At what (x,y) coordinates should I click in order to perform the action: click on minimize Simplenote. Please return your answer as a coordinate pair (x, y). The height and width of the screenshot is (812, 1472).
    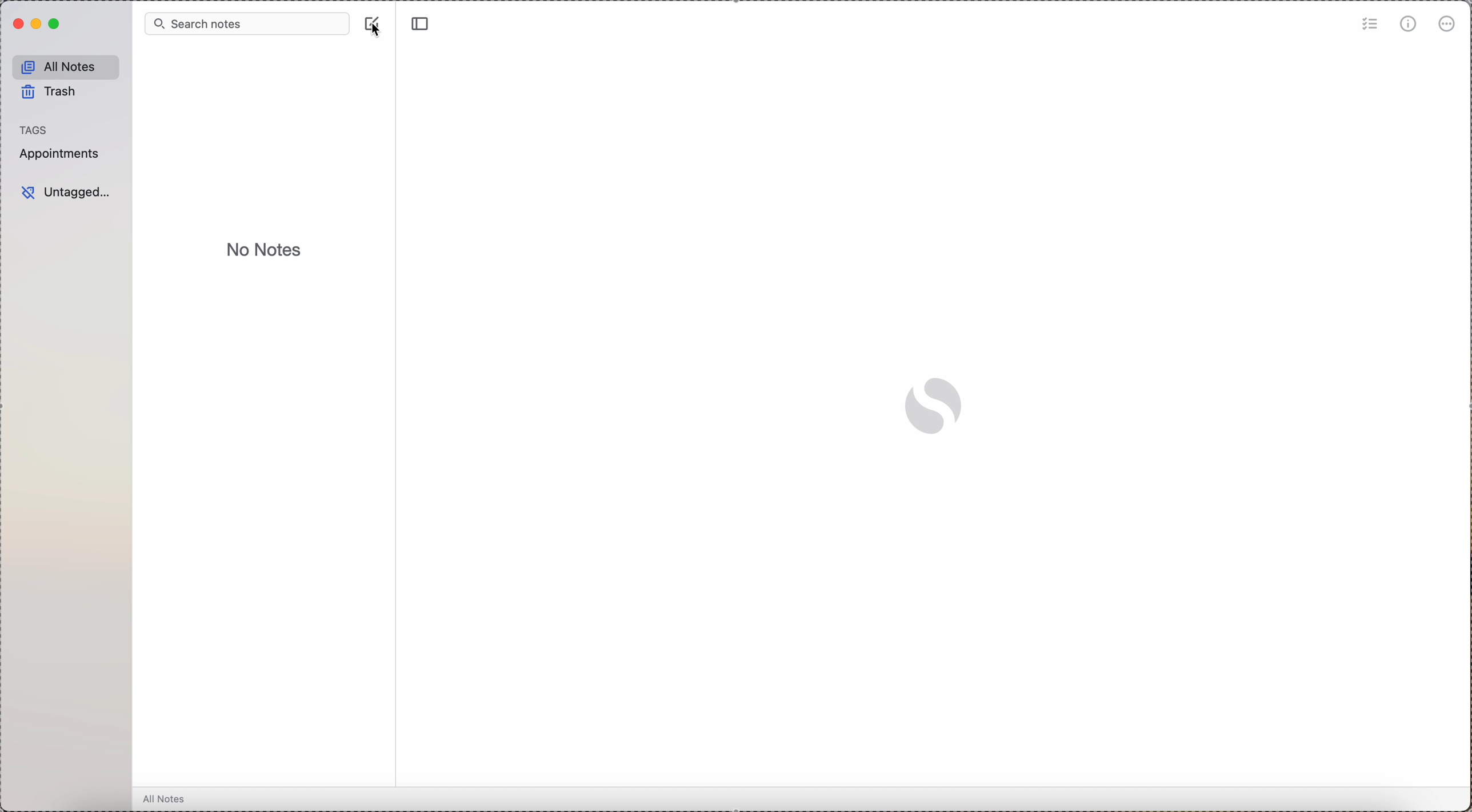
    Looking at the image, I should click on (38, 23).